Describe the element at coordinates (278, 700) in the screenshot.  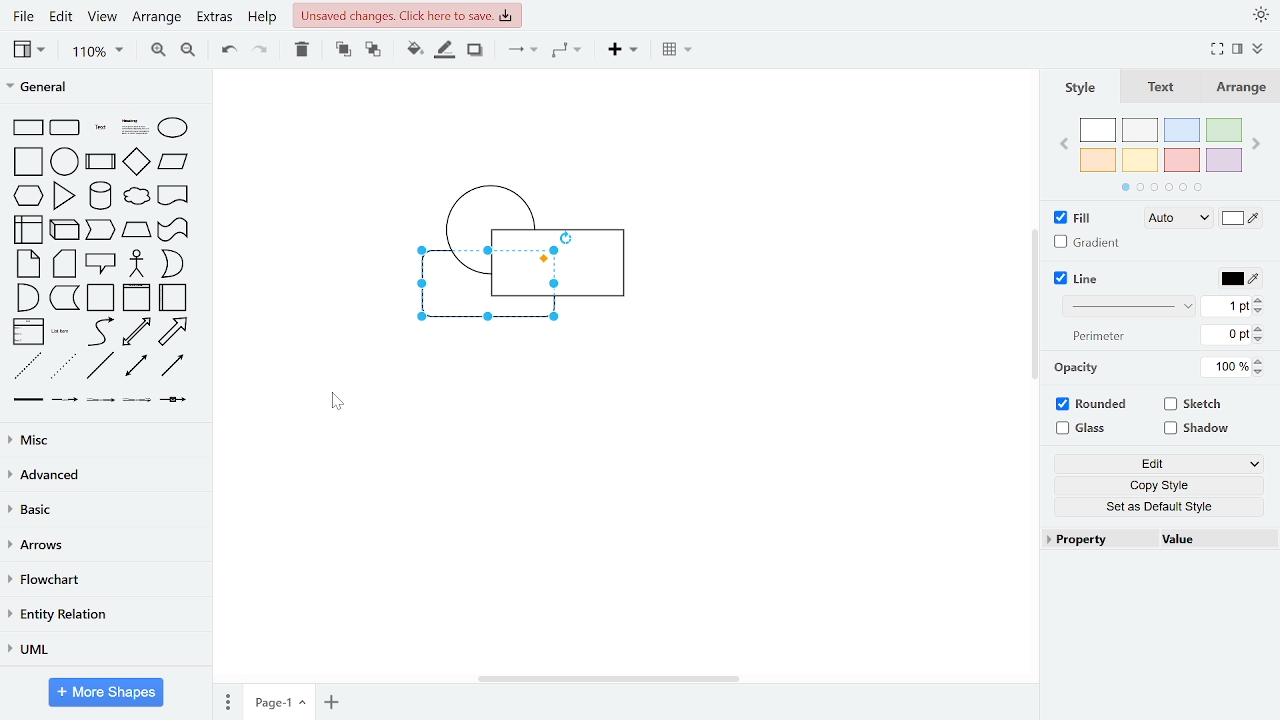
I see `current page` at that location.